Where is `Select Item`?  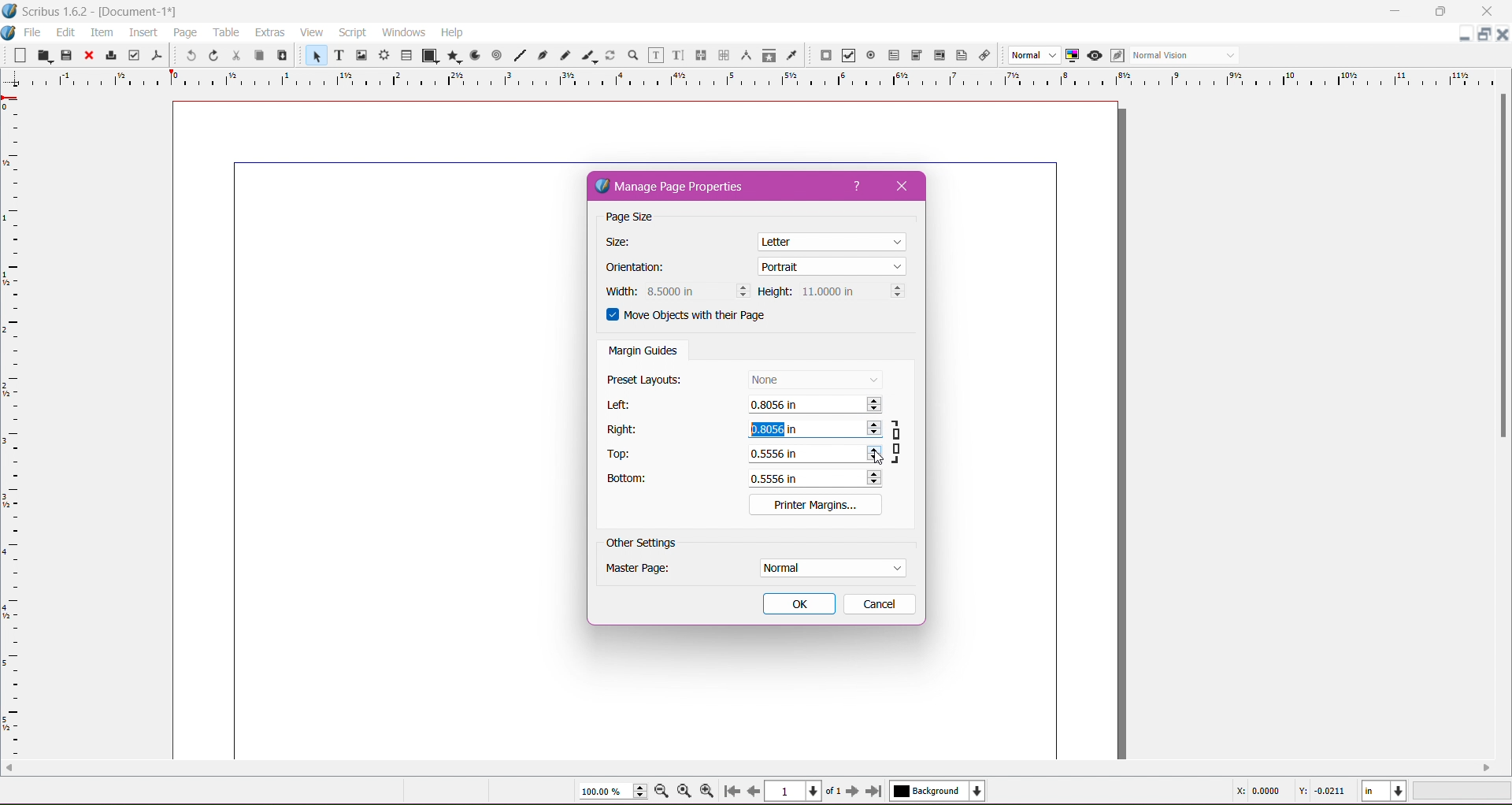 Select Item is located at coordinates (313, 56).